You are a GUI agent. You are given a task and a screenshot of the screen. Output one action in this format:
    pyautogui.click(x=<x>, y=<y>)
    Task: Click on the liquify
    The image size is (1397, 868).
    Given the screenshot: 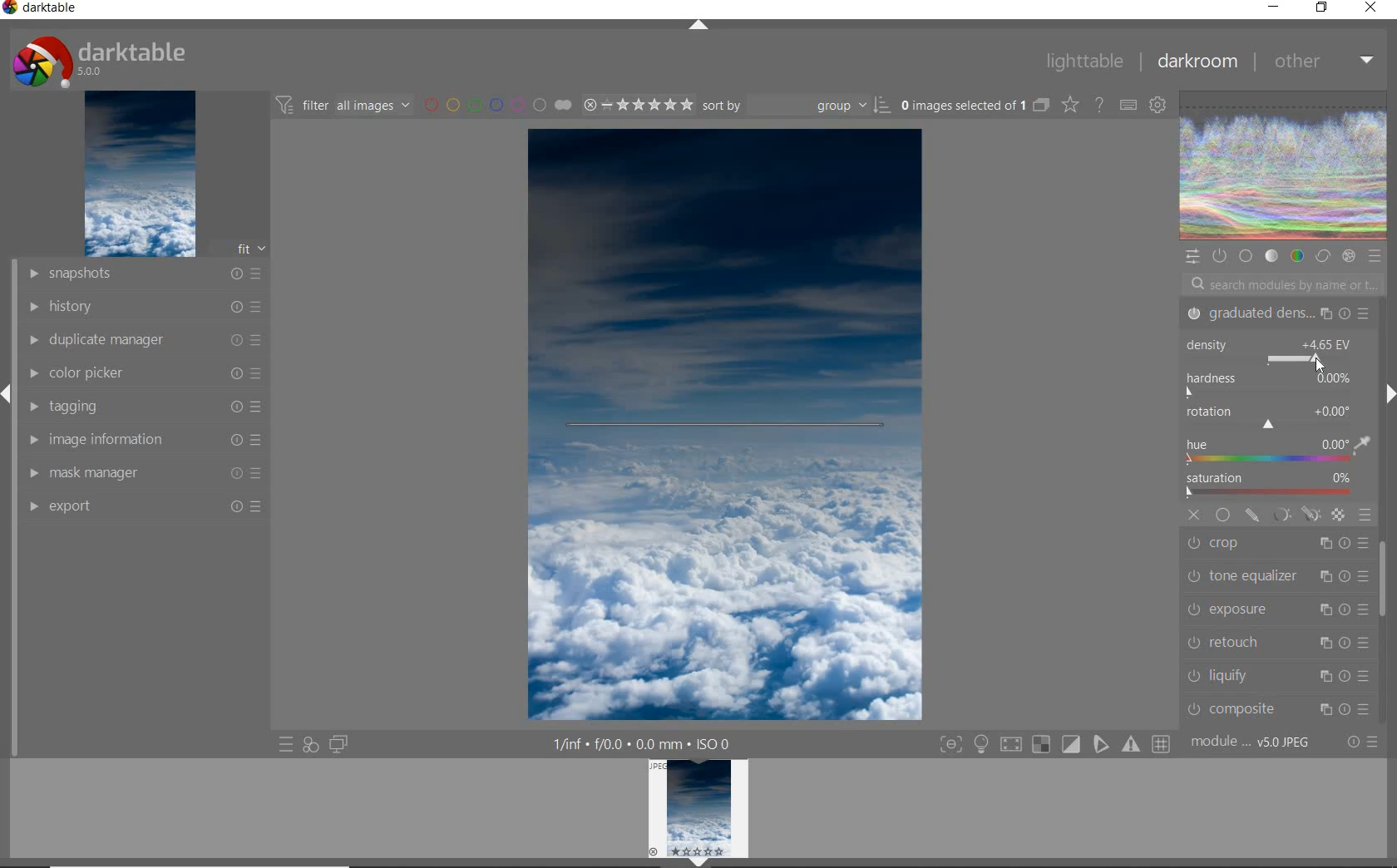 What is the action you would take?
    pyautogui.click(x=1281, y=674)
    